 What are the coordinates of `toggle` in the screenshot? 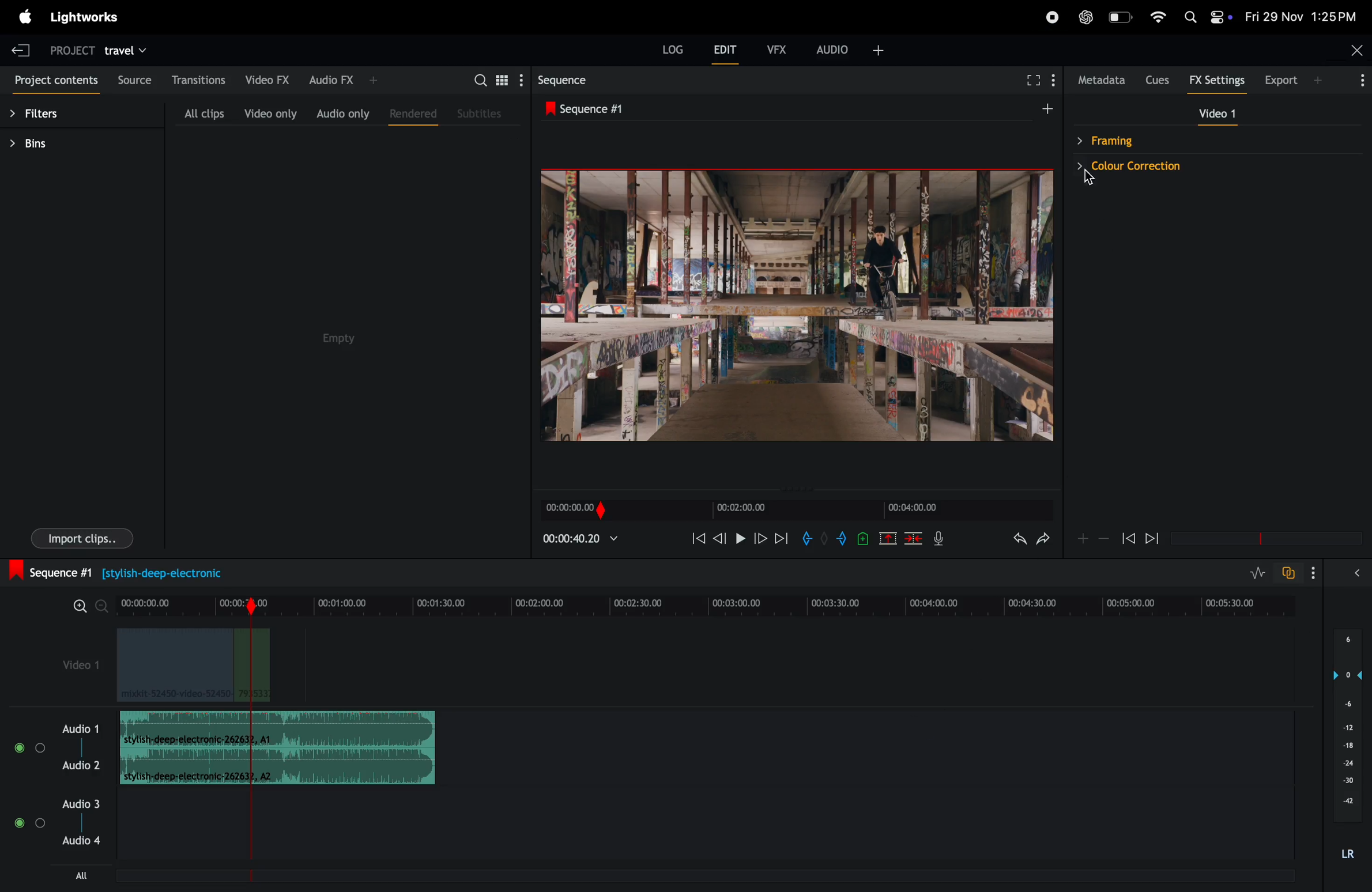 It's located at (18, 748).